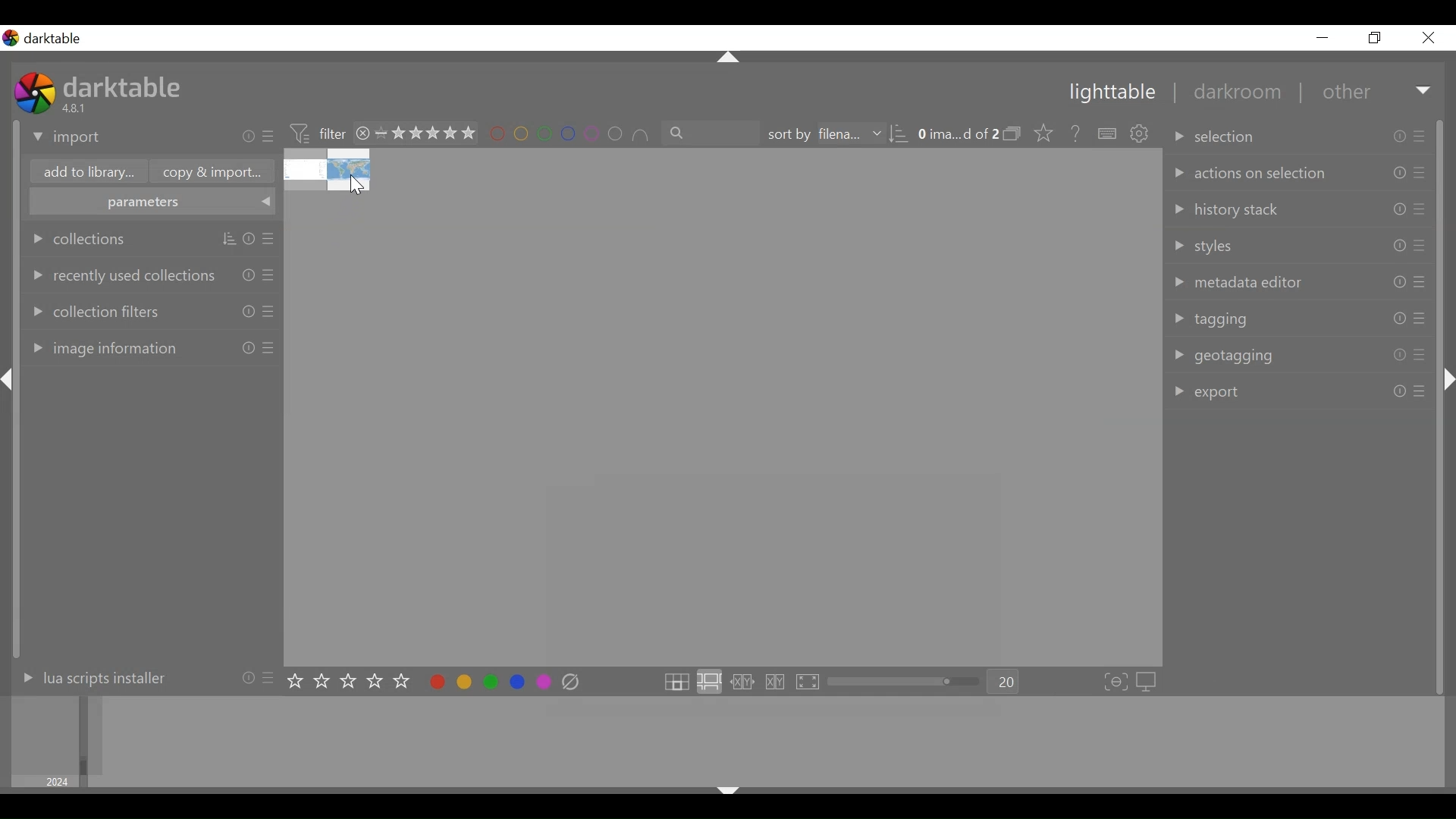 This screenshot has width=1456, height=819. What do you see at coordinates (1423, 322) in the screenshot?
I see `` at bounding box center [1423, 322].